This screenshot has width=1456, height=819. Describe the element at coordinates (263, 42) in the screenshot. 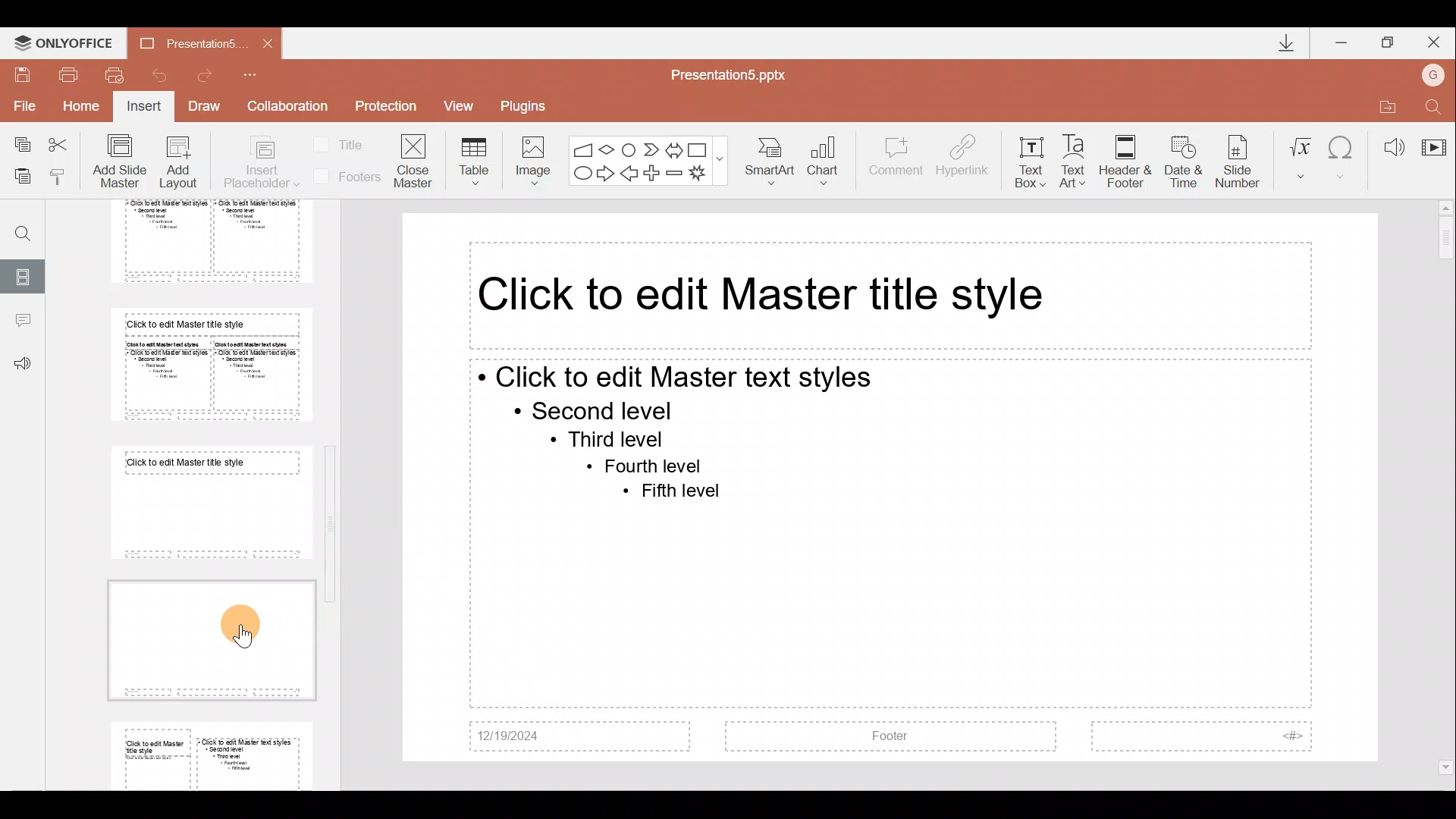

I see `Close document` at that location.